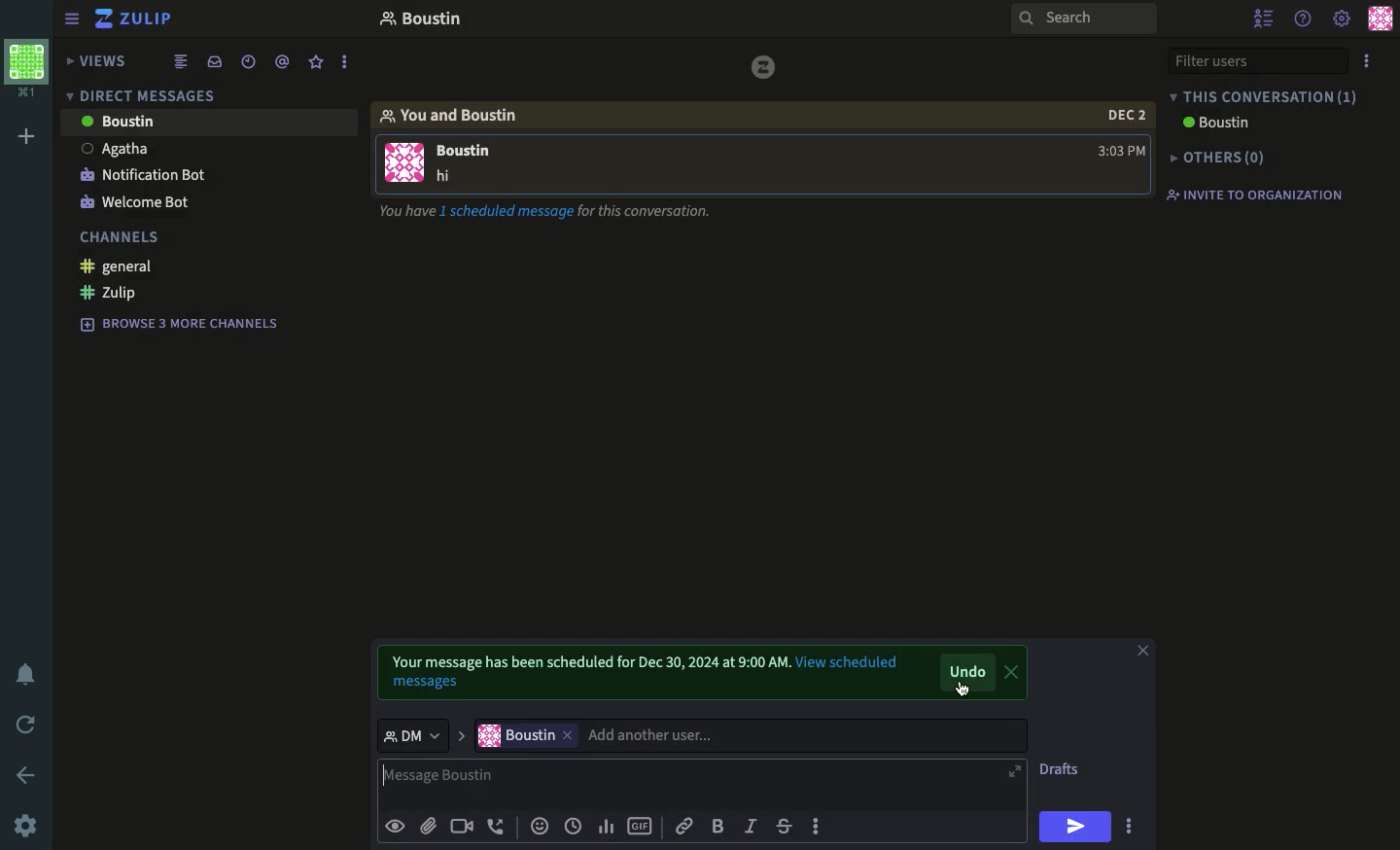 The height and width of the screenshot is (850, 1400). What do you see at coordinates (98, 63) in the screenshot?
I see `views` at bounding box center [98, 63].